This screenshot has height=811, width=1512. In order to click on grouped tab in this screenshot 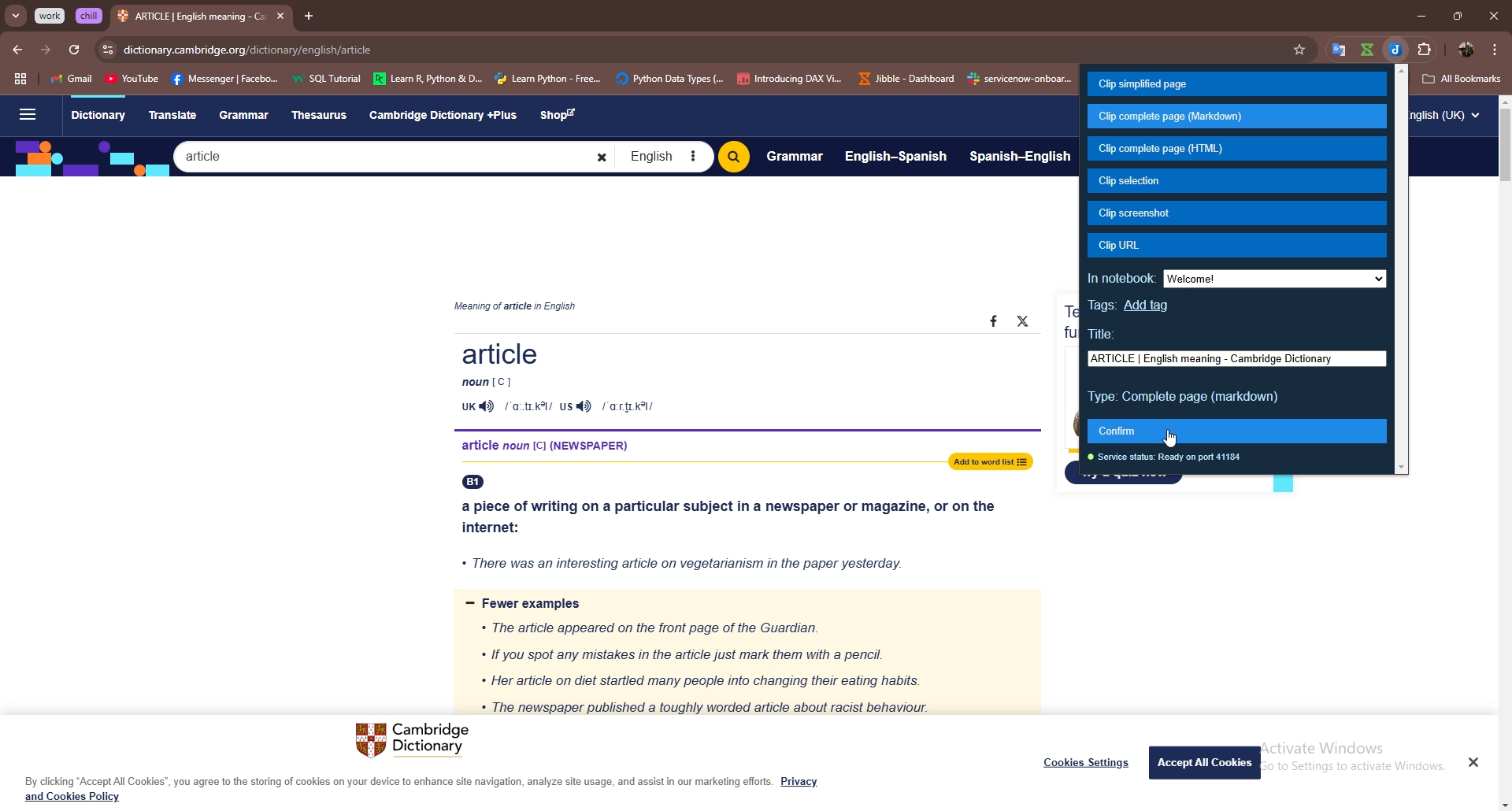, I will do `click(90, 16)`.